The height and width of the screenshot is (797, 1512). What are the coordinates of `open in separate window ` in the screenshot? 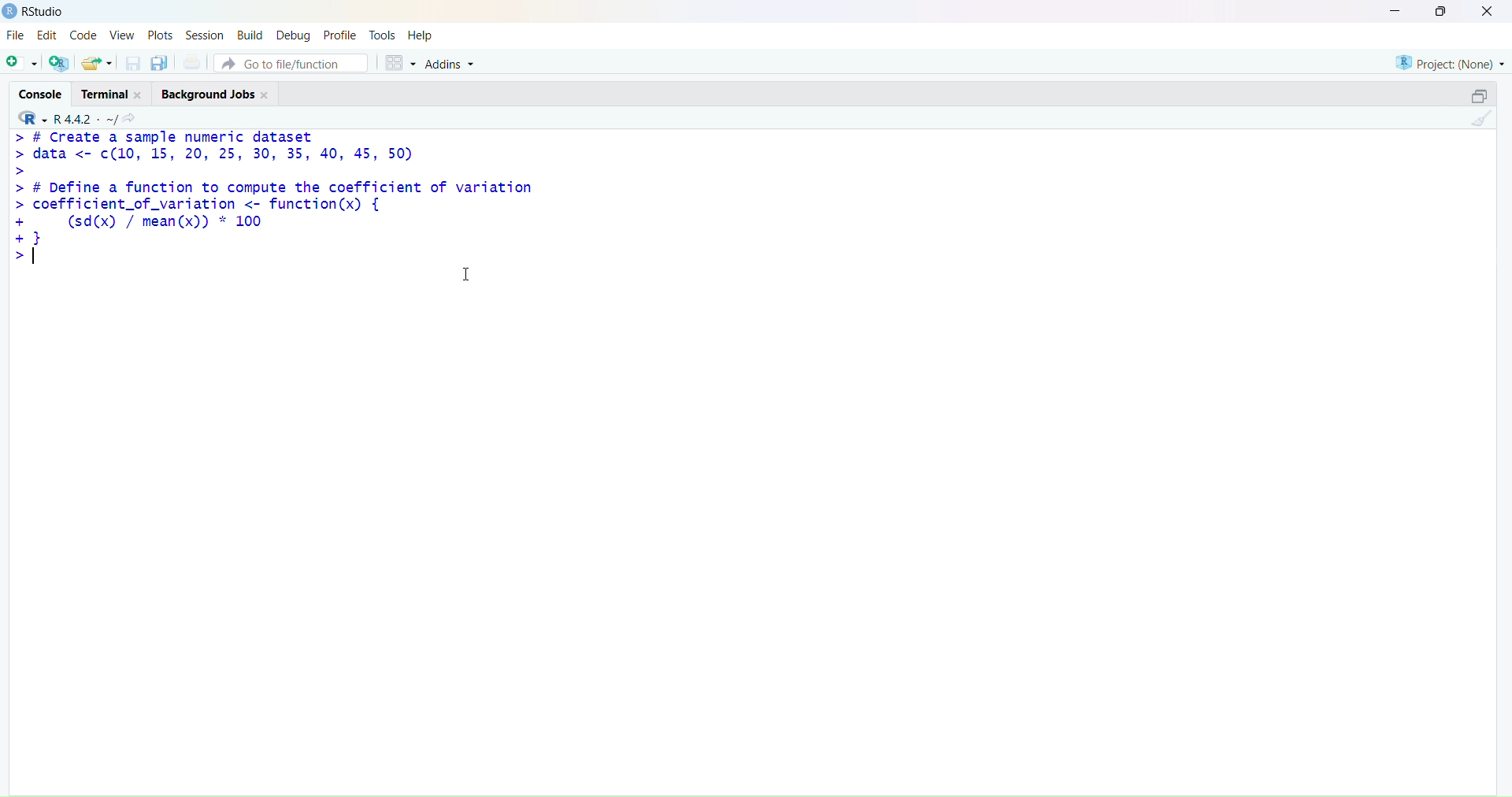 It's located at (1479, 95).